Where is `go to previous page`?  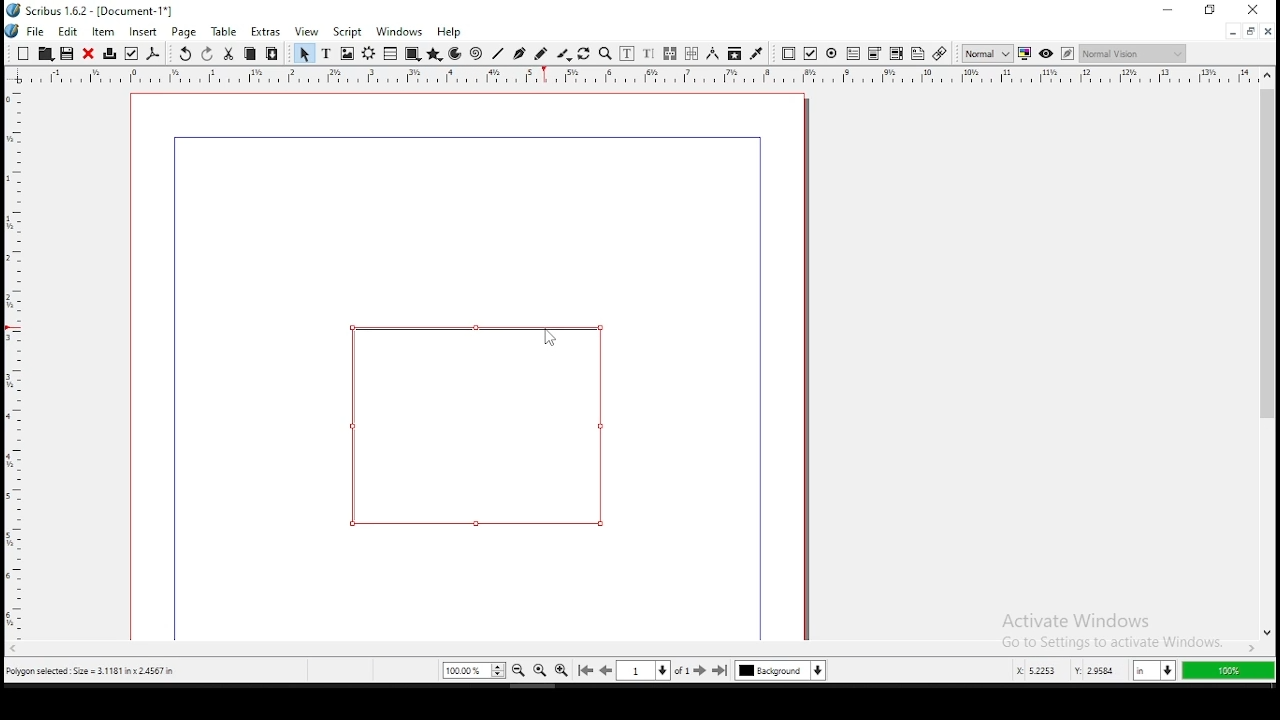 go to previous page is located at coordinates (606, 670).